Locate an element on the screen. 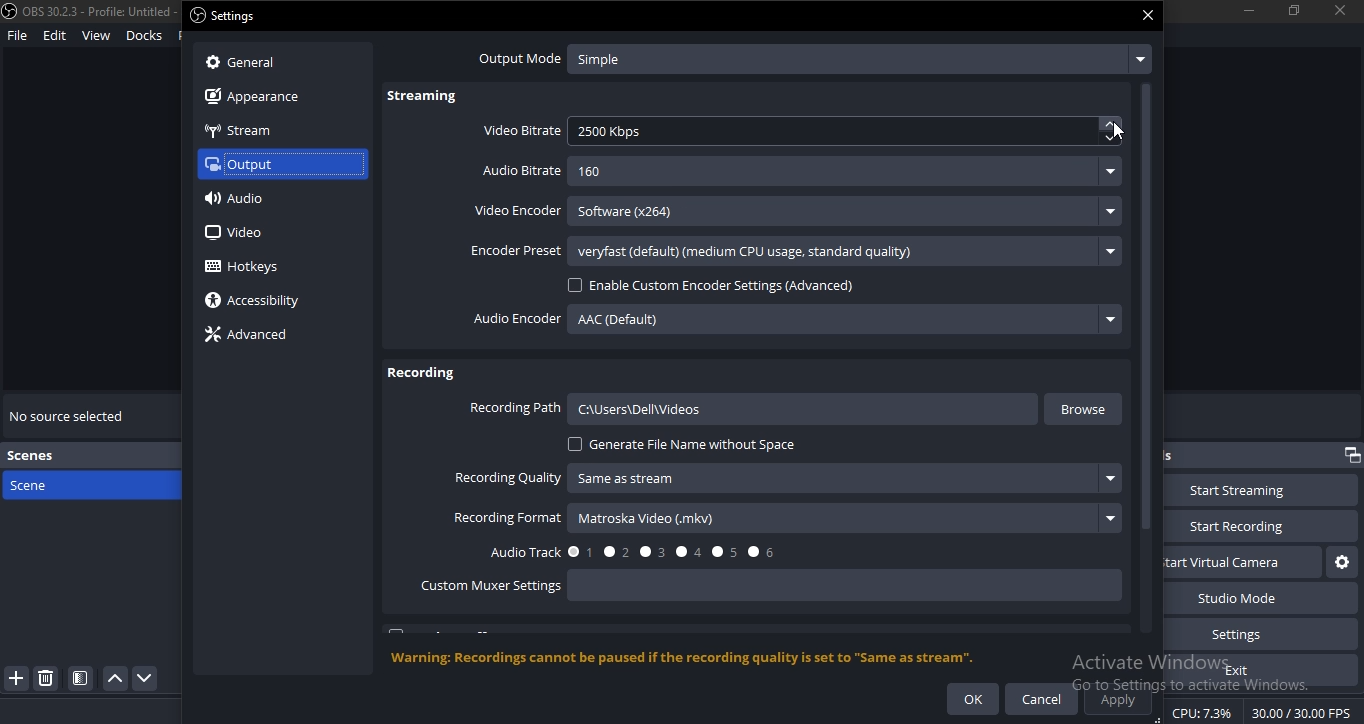  video encoder is located at coordinates (515, 209).